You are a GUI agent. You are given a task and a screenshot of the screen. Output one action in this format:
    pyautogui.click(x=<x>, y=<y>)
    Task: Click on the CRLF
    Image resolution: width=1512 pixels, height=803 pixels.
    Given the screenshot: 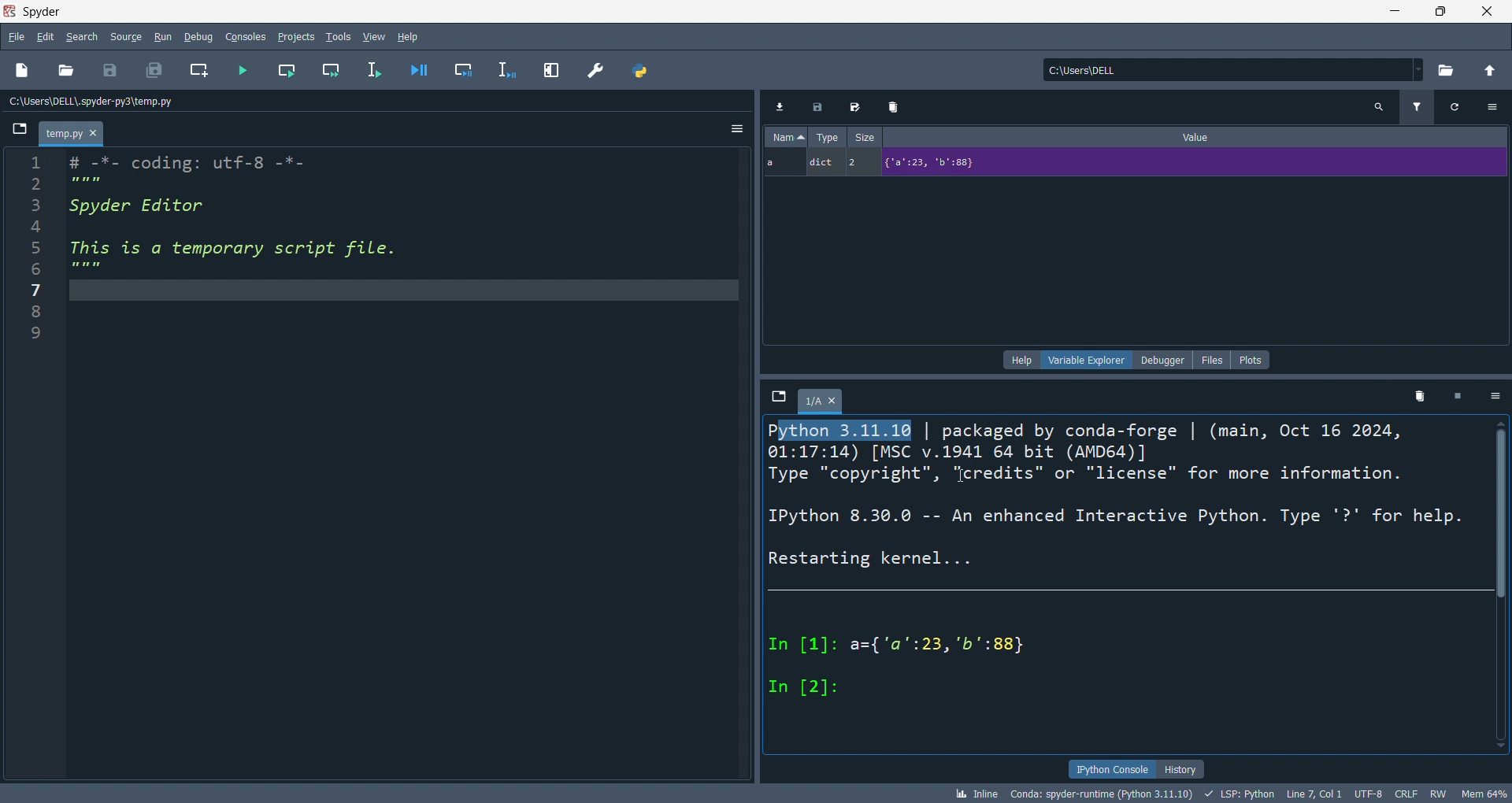 What is the action you would take?
    pyautogui.click(x=1409, y=792)
    